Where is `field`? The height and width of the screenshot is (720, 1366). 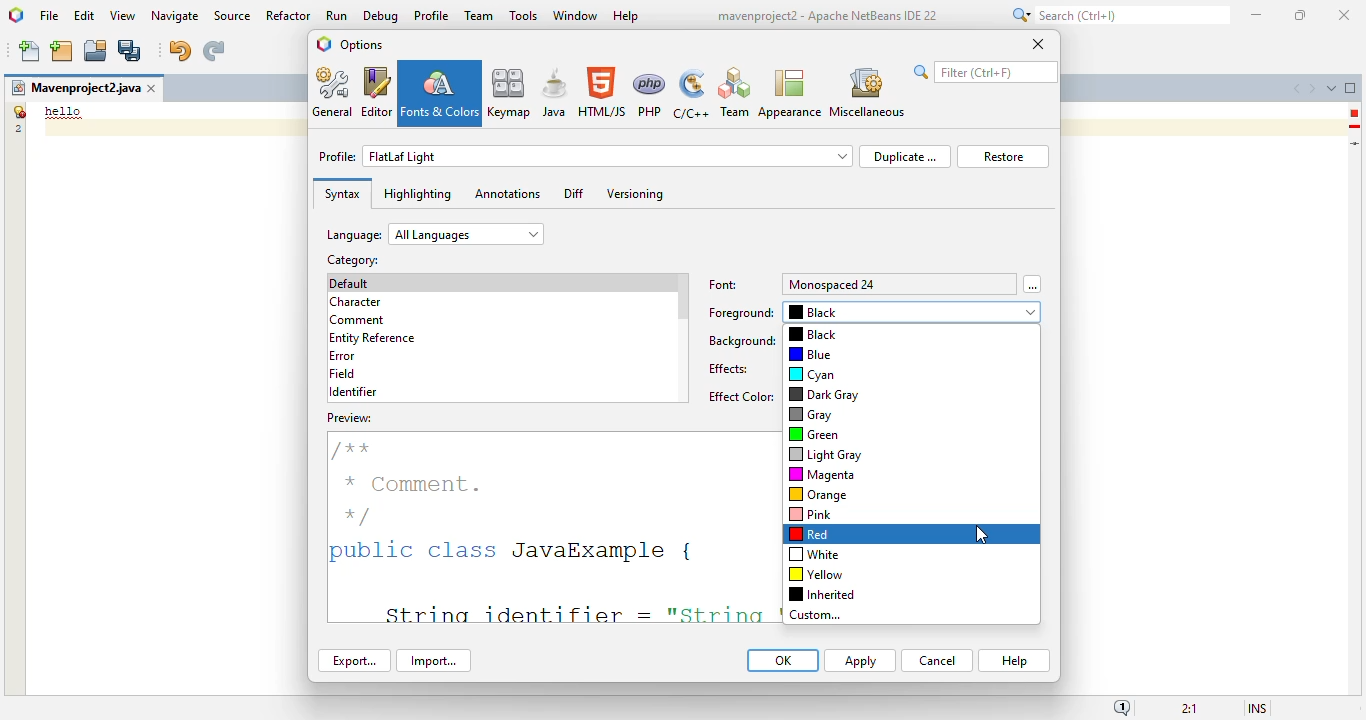
field is located at coordinates (342, 373).